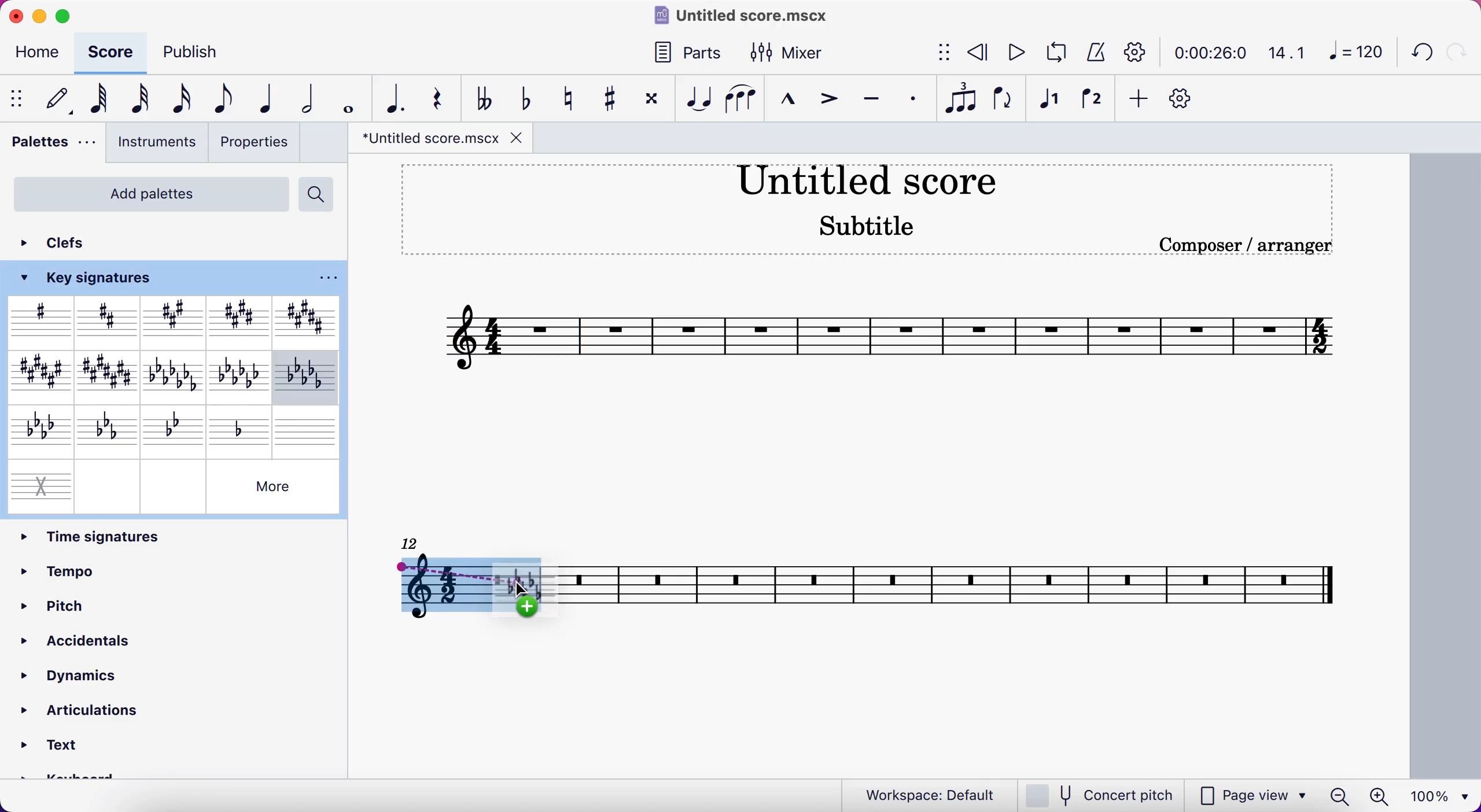  Describe the element at coordinates (16, 16) in the screenshot. I see `close` at that location.